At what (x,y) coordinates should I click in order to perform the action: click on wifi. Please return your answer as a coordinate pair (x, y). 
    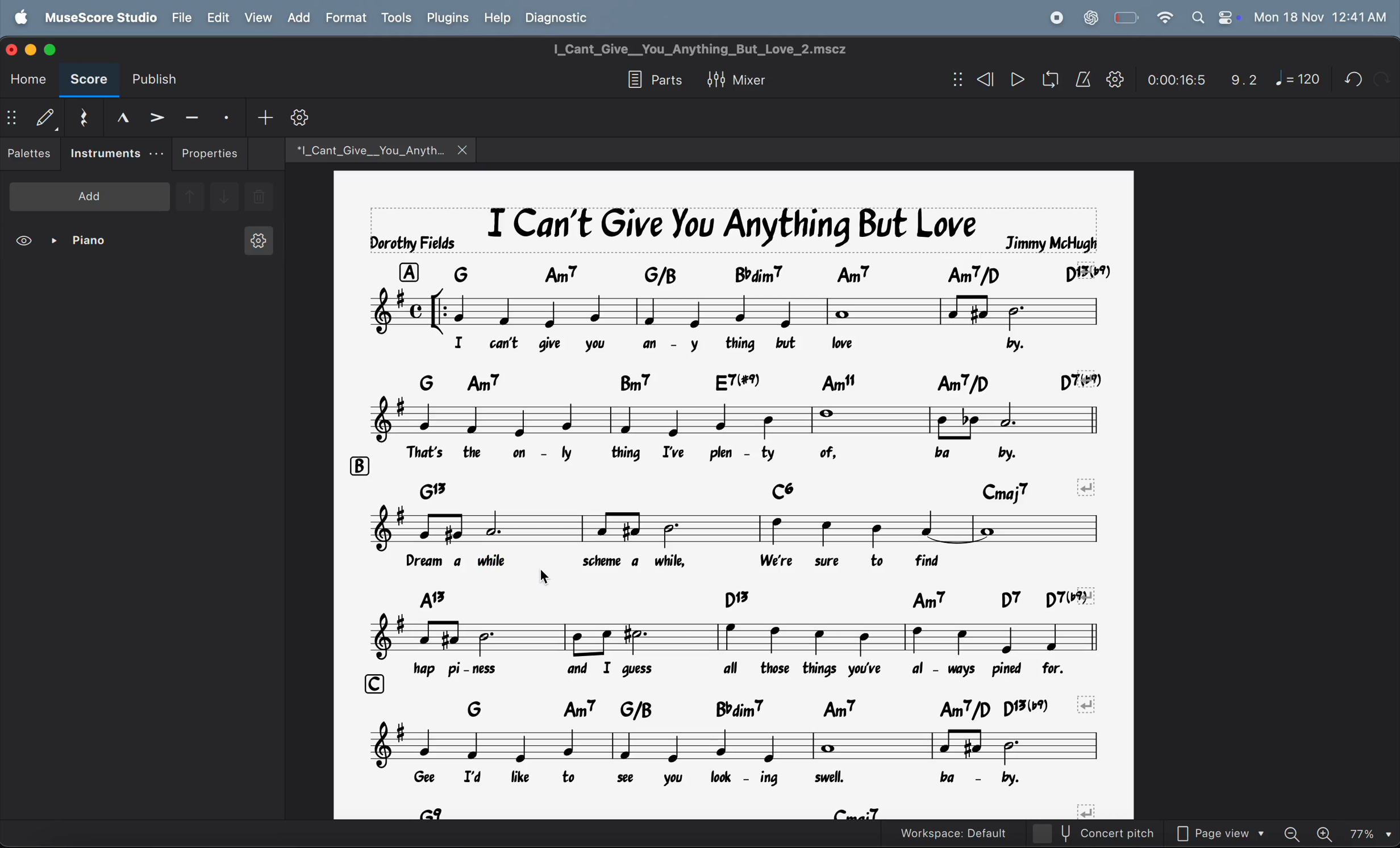
    Looking at the image, I should click on (1163, 17).